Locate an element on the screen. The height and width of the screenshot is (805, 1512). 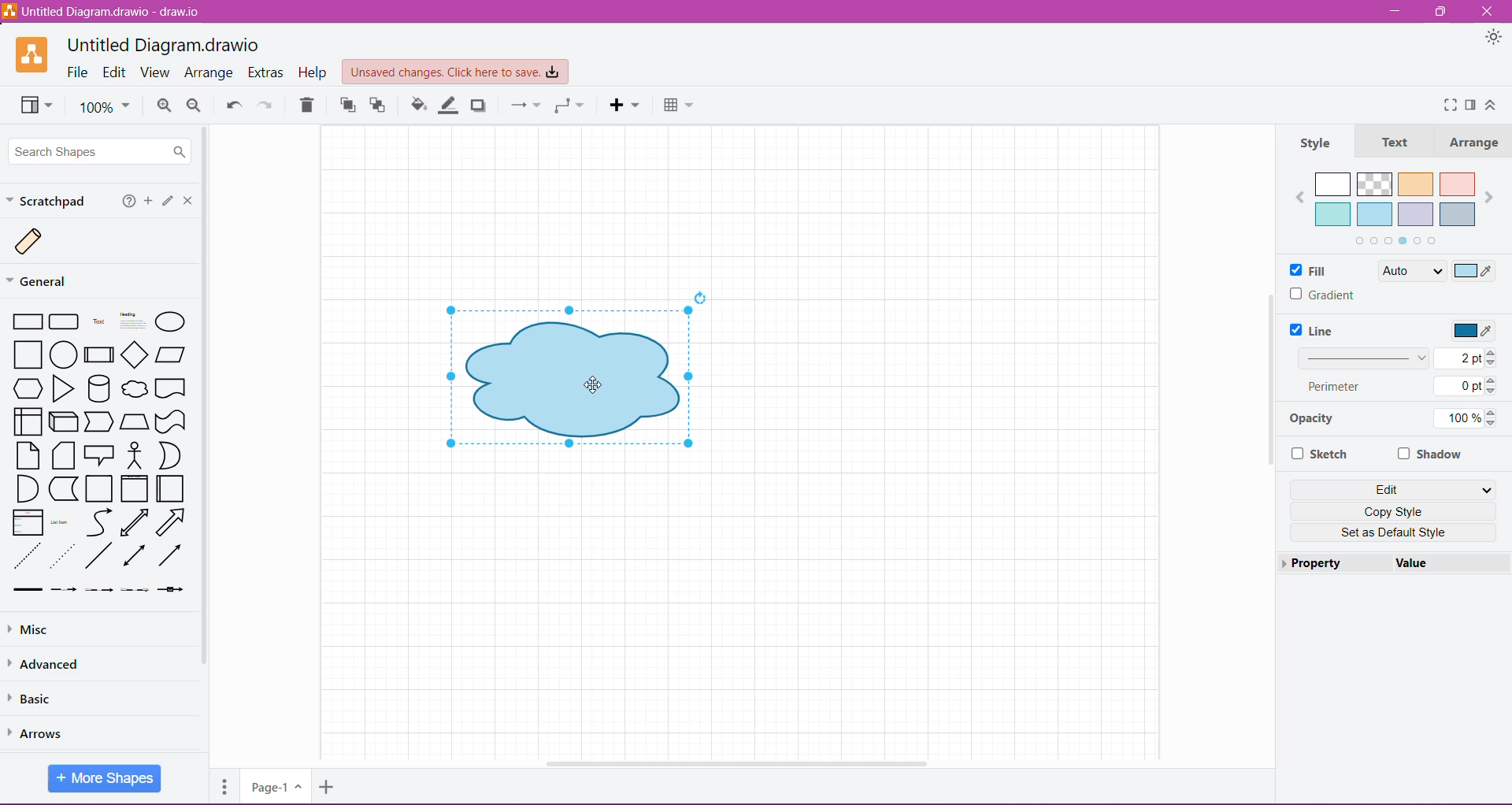
100% is located at coordinates (105, 108).